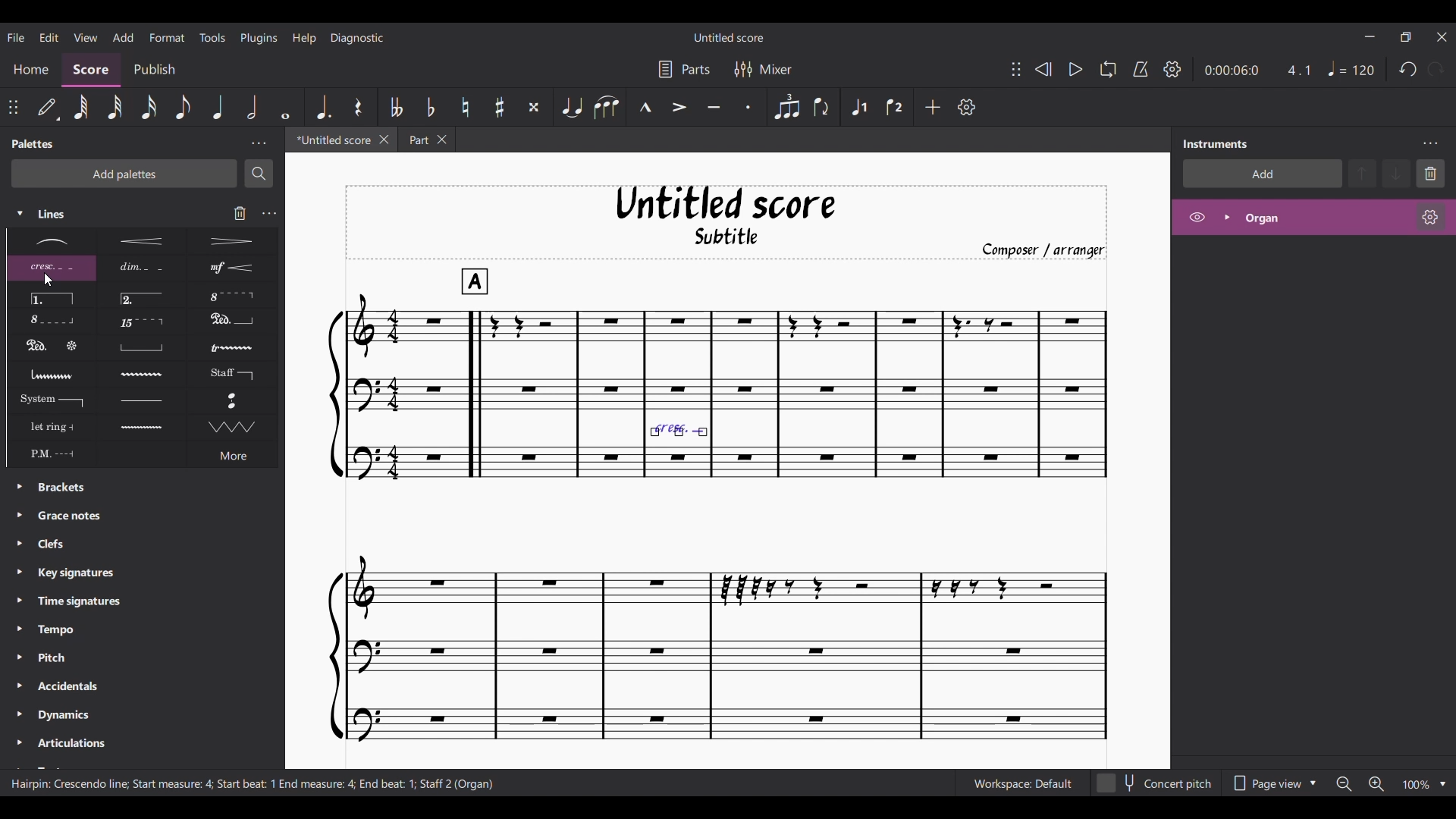 The width and height of the screenshot is (1456, 819). What do you see at coordinates (933, 107) in the screenshot?
I see `Add` at bounding box center [933, 107].